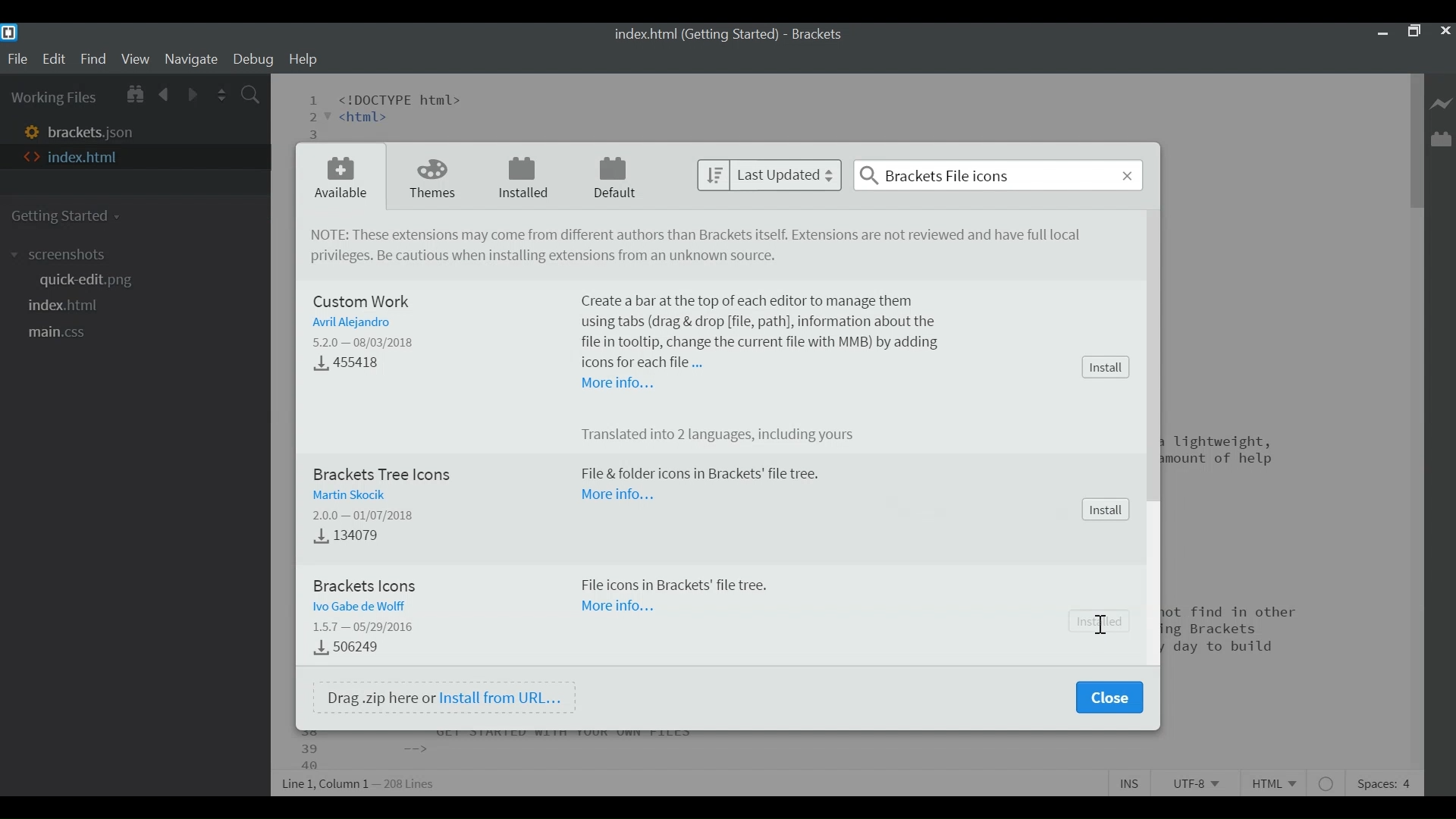 The image size is (1456, 819). I want to click on Search, so click(998, 174).